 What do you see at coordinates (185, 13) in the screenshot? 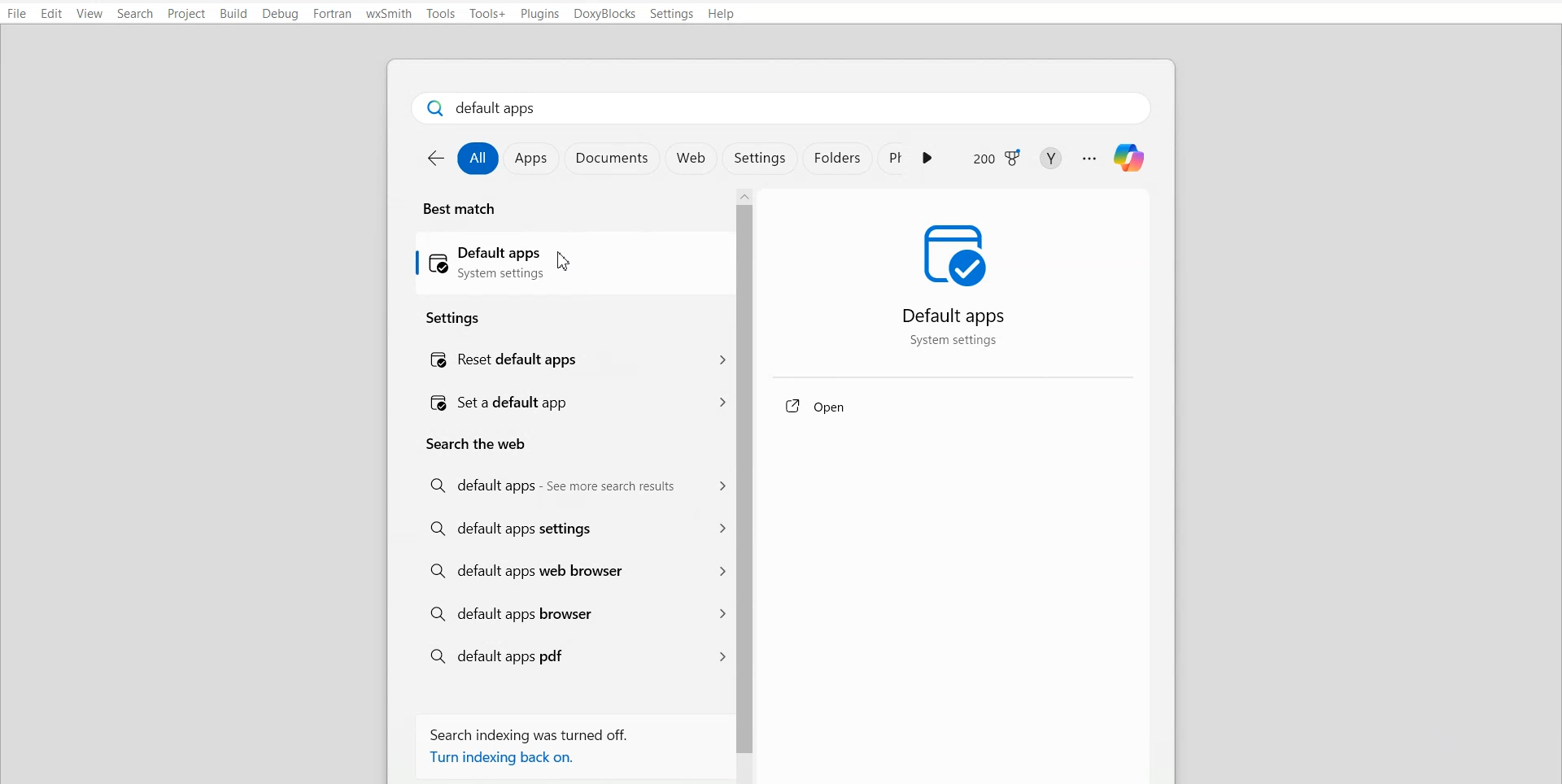
I see `Project` at bounding box center [185, 13].